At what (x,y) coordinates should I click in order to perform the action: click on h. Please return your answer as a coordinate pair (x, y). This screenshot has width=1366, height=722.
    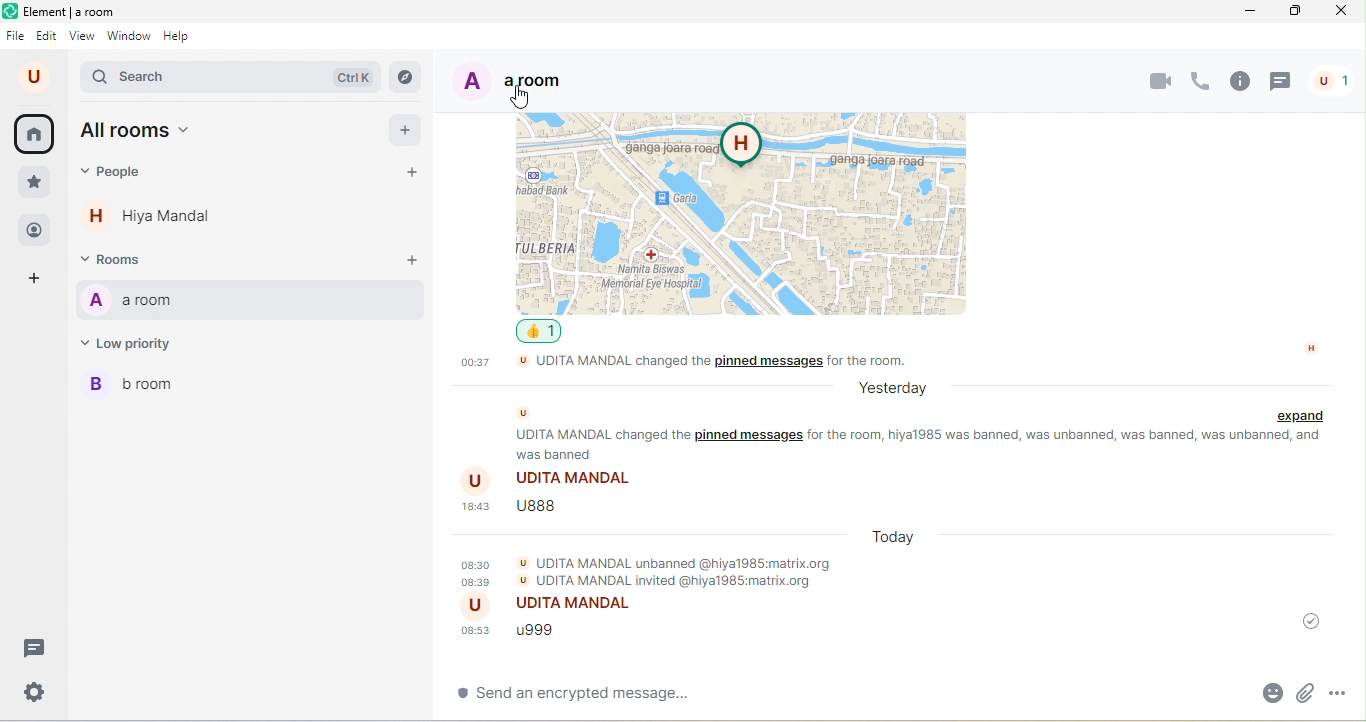
    Looking at the image, I should click on (1311, 351).